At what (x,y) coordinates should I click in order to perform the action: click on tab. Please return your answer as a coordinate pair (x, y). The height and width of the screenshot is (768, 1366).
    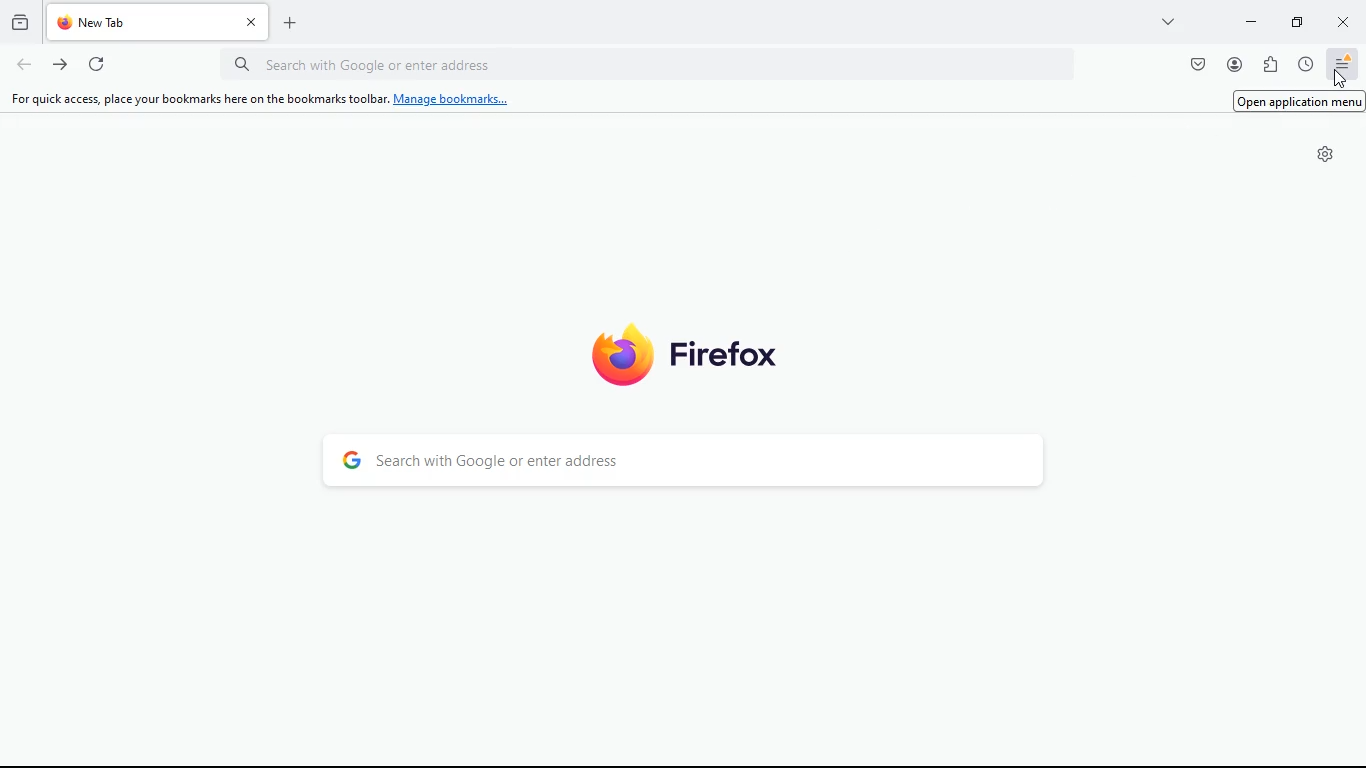
    Looking at the image, I should click on (156, 23).